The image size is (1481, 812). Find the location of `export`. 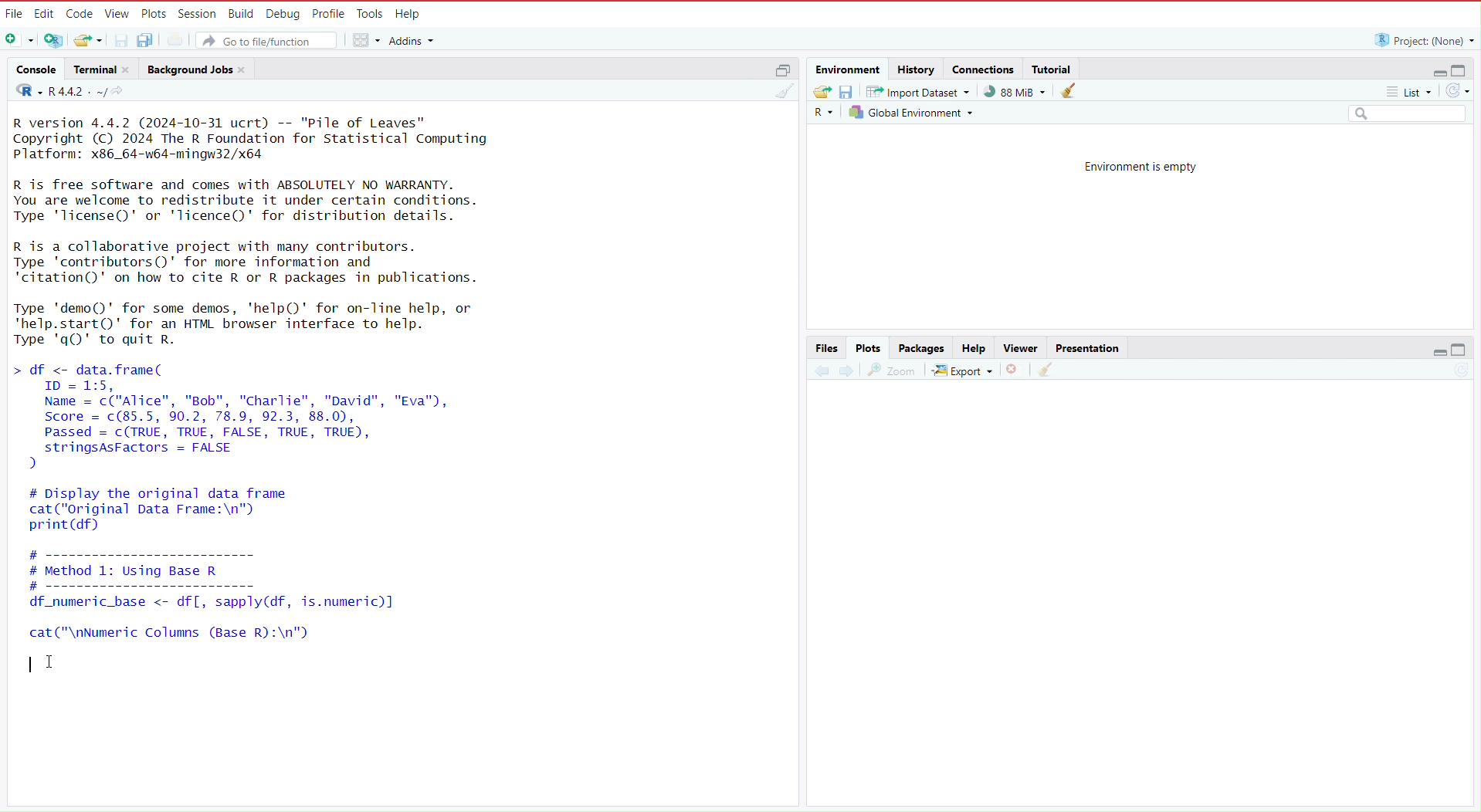

export is located at coordinates (963, 370).